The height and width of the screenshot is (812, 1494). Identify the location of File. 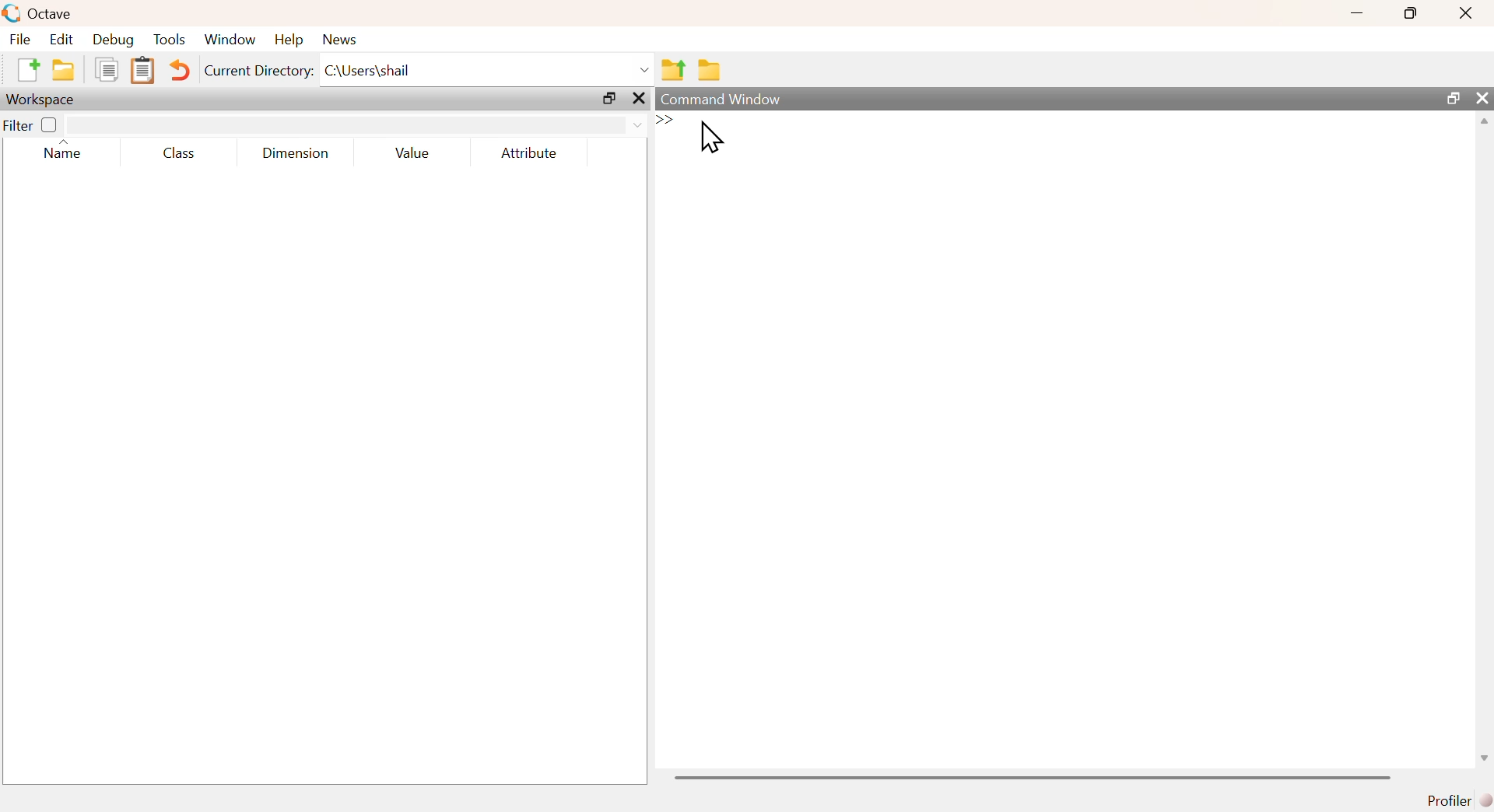
(22, 40).